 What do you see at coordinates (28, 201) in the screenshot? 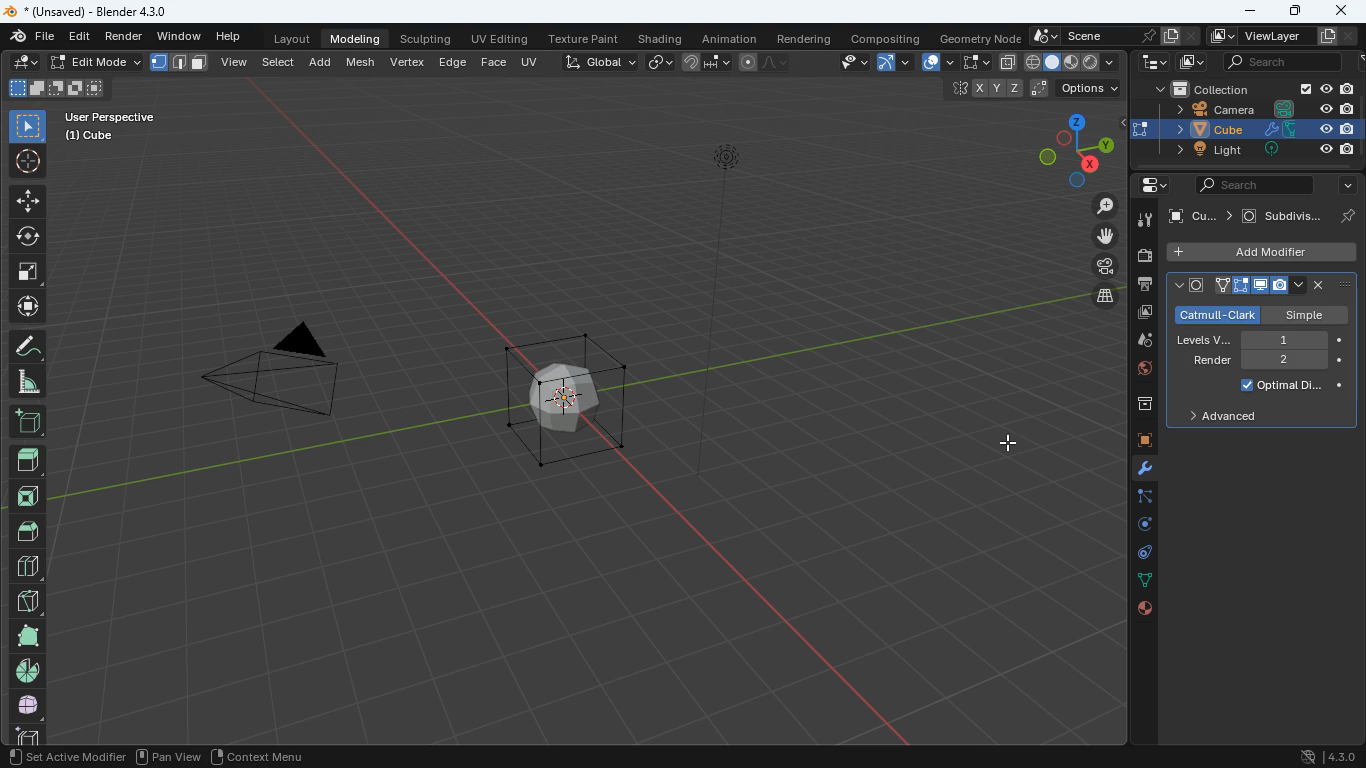
I see `move` at bounding box center [28, 201].